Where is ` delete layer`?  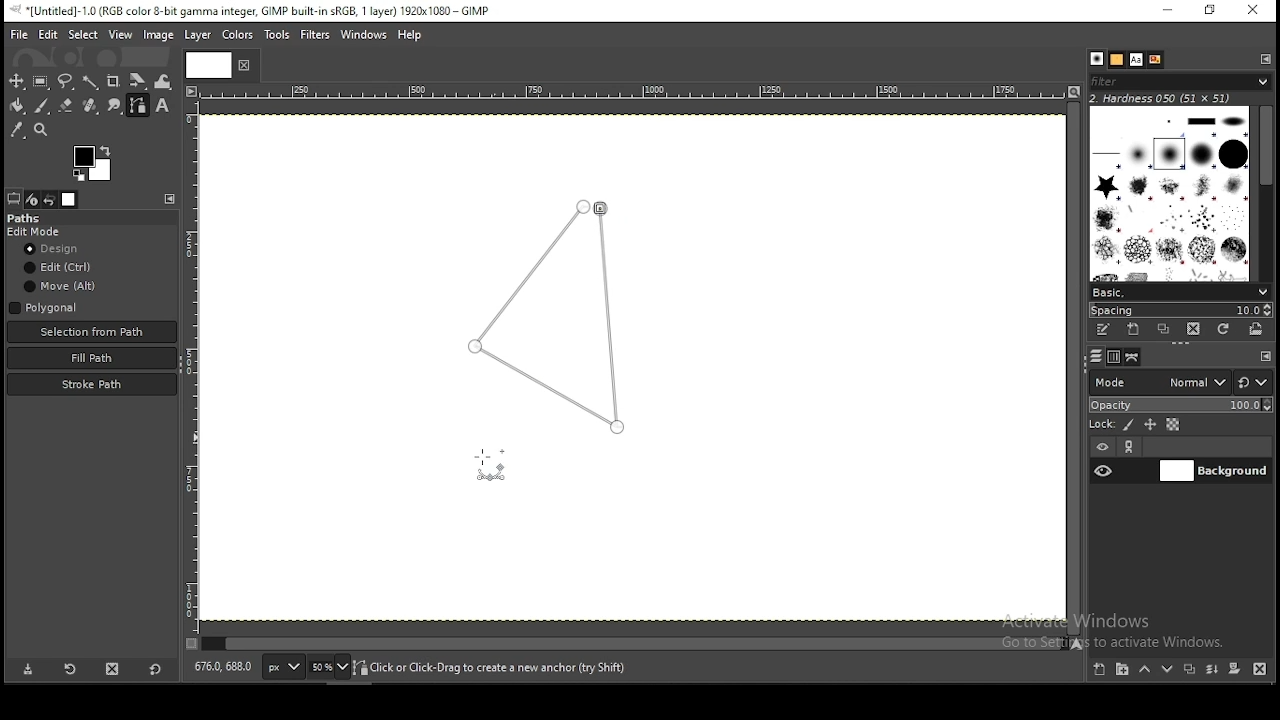  delete layer is located at coordinates (1259, 670).